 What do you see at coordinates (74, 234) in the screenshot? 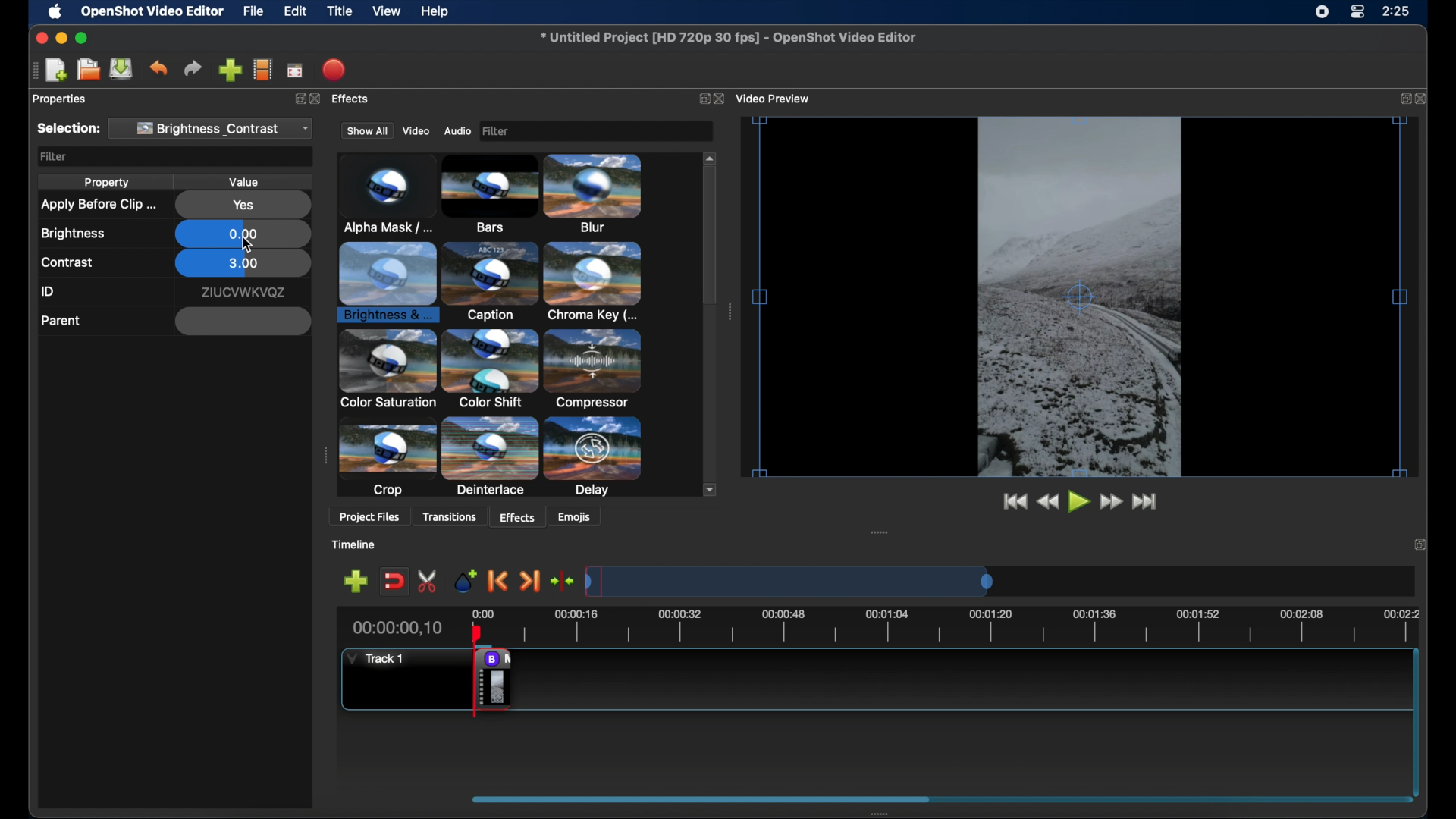
I see `brightness` at bounding box center [74, 234].